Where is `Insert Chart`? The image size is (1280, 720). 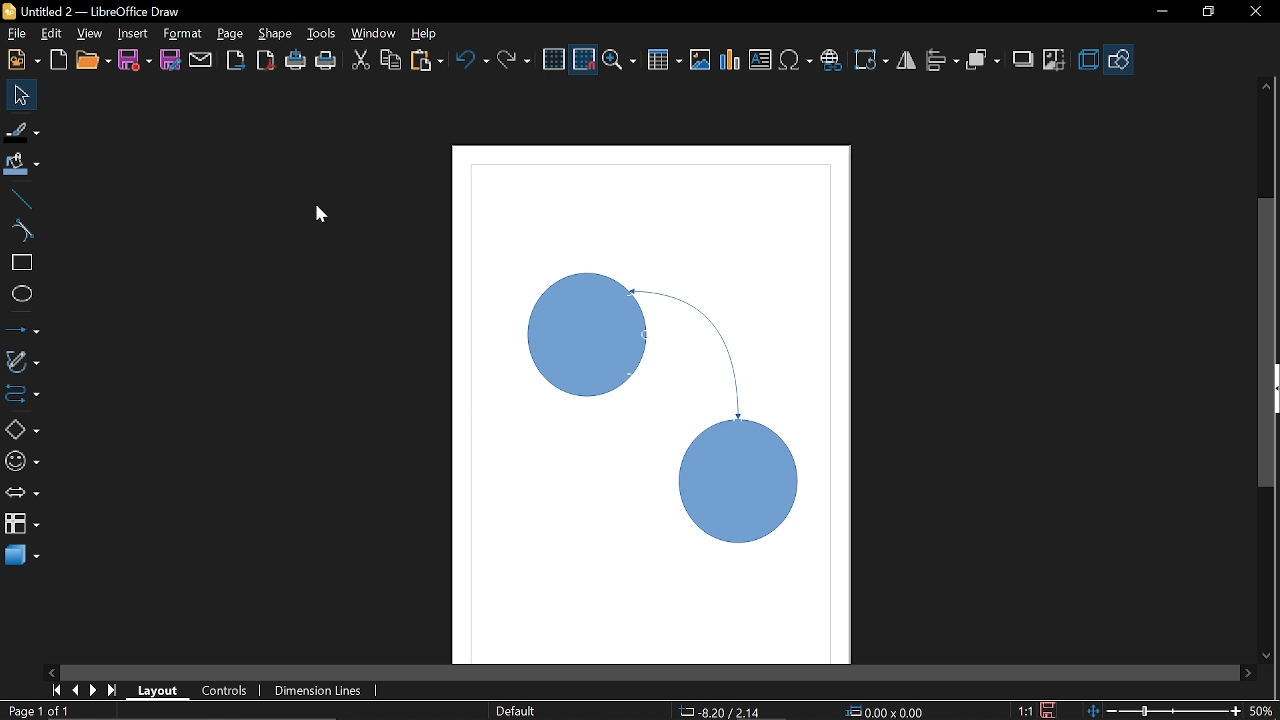
Insert Chart is located at coordinates (730, 61).